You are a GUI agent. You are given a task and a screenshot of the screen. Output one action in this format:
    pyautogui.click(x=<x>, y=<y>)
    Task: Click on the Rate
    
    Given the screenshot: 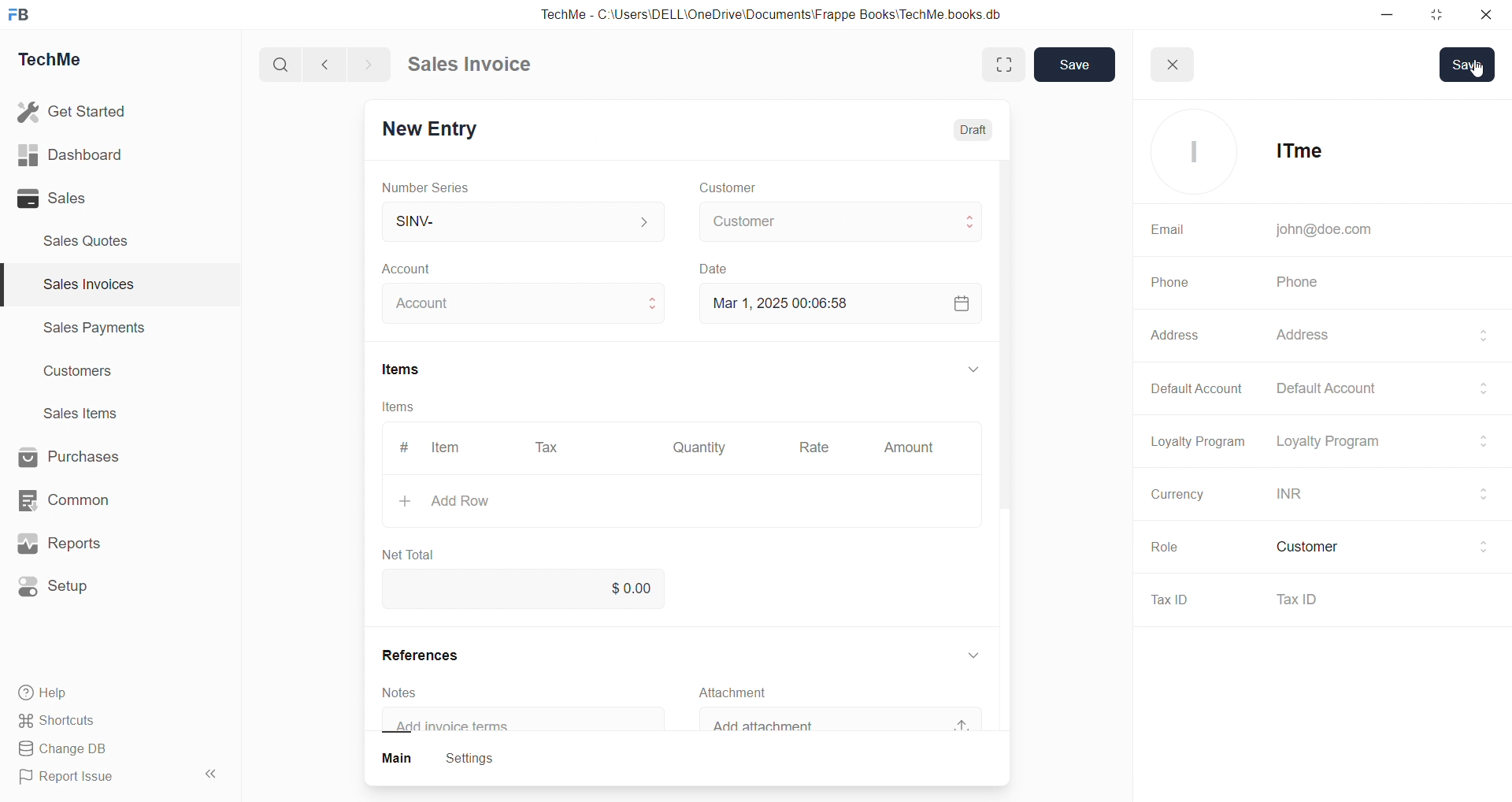 What is the action you would take?
    pyautogui.click(x=810, y=444)
    